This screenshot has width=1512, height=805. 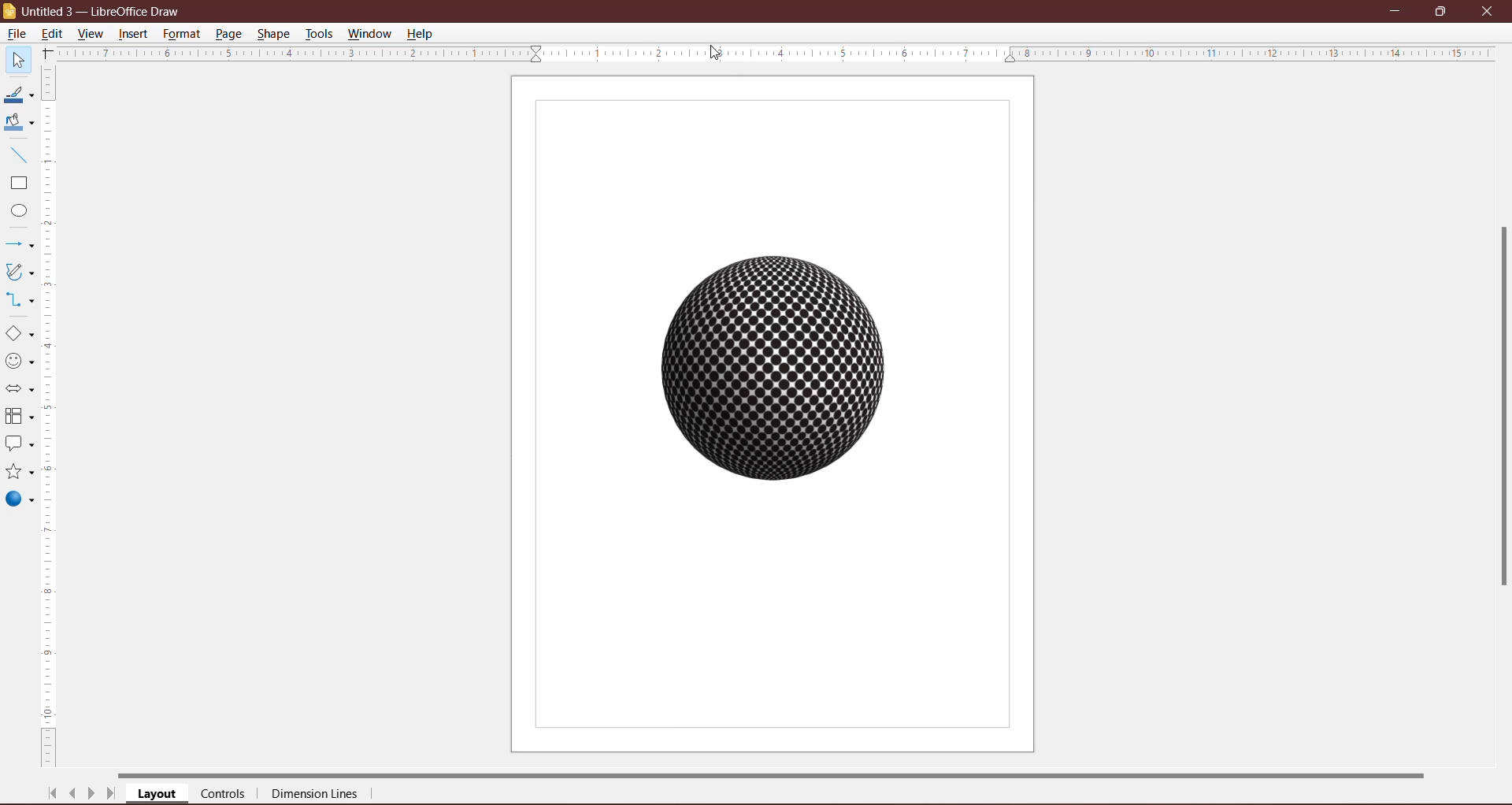 What do you see at coordinates (18, 271) in the screenshot?
I see `Curves and Polygons` at bounding box center [18, 271].